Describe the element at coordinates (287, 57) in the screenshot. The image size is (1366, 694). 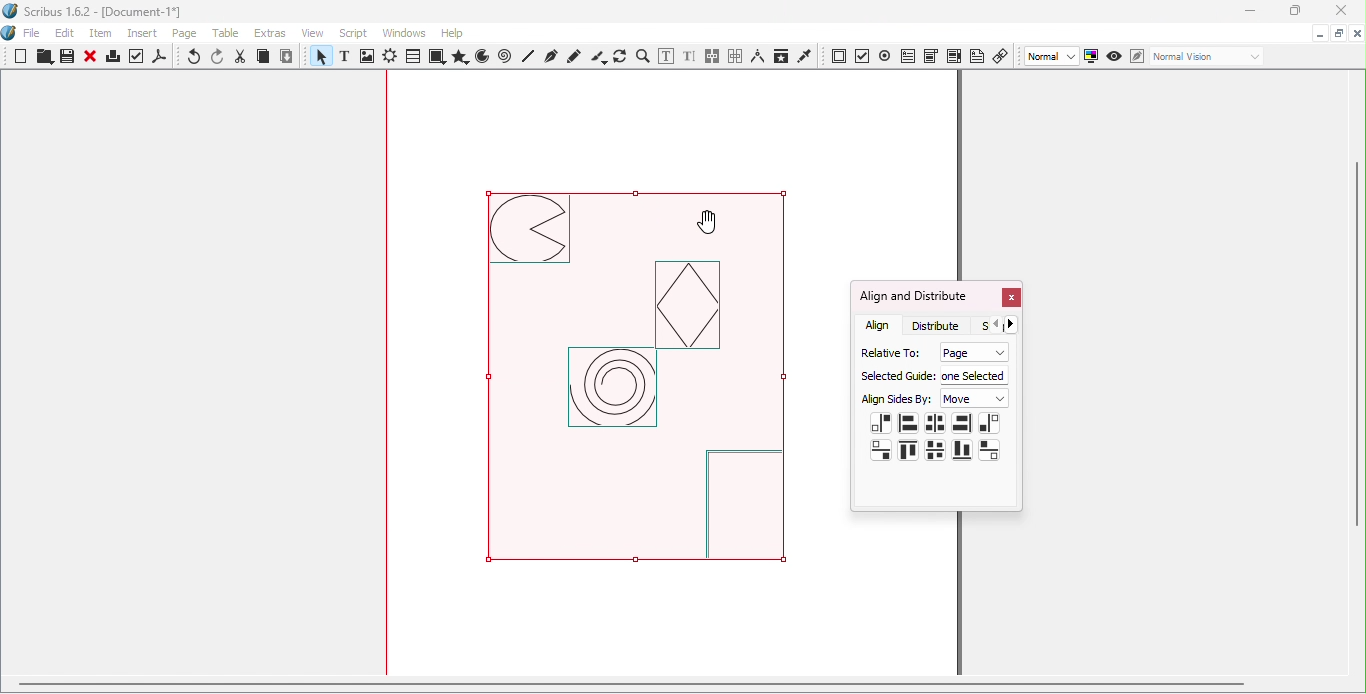
I see `Paste` at that location.